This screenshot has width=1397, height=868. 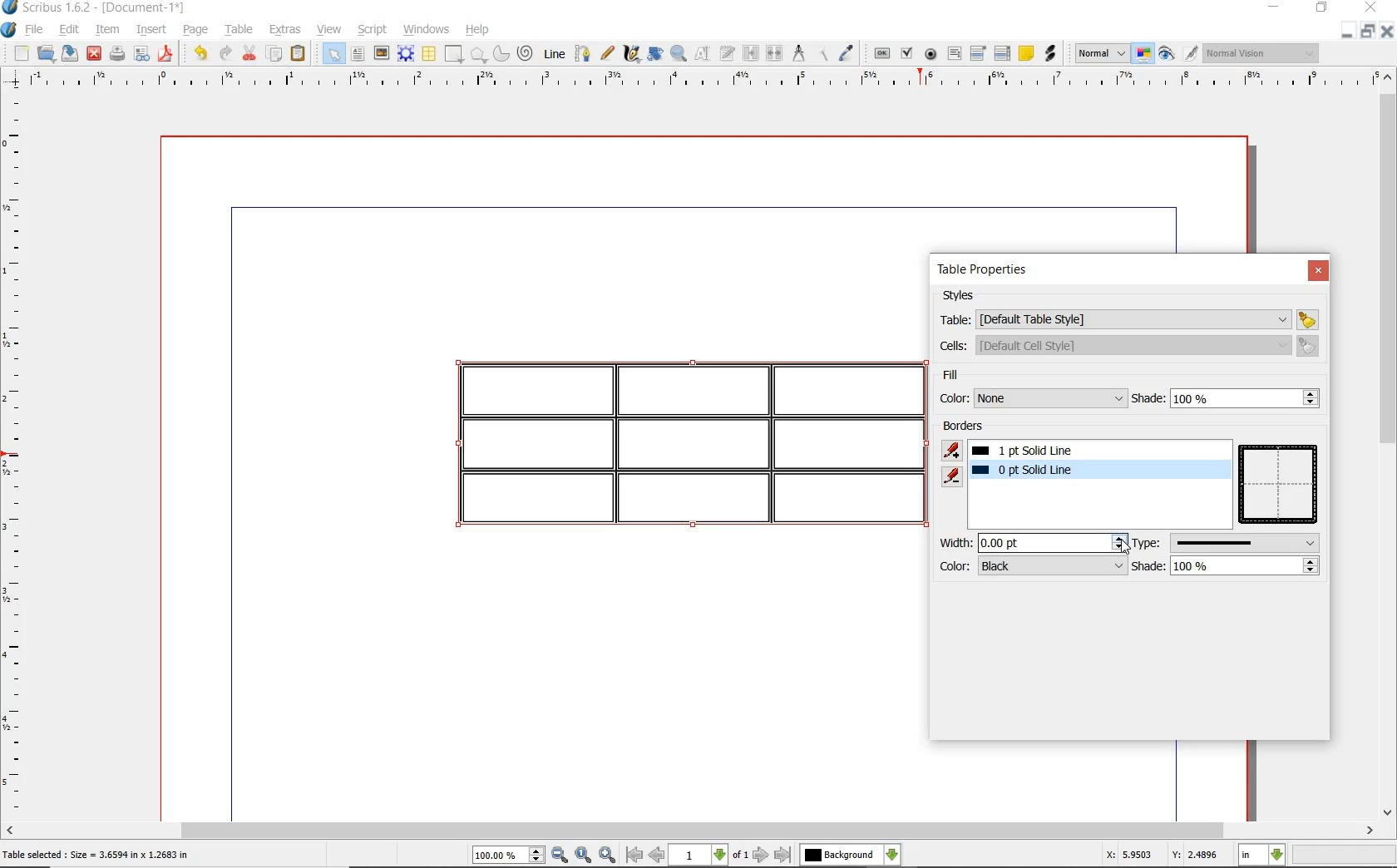 What do you see at coordinates (634, 856) in the screenshot?
I see `go to first page` at bounding box center [634, 856].